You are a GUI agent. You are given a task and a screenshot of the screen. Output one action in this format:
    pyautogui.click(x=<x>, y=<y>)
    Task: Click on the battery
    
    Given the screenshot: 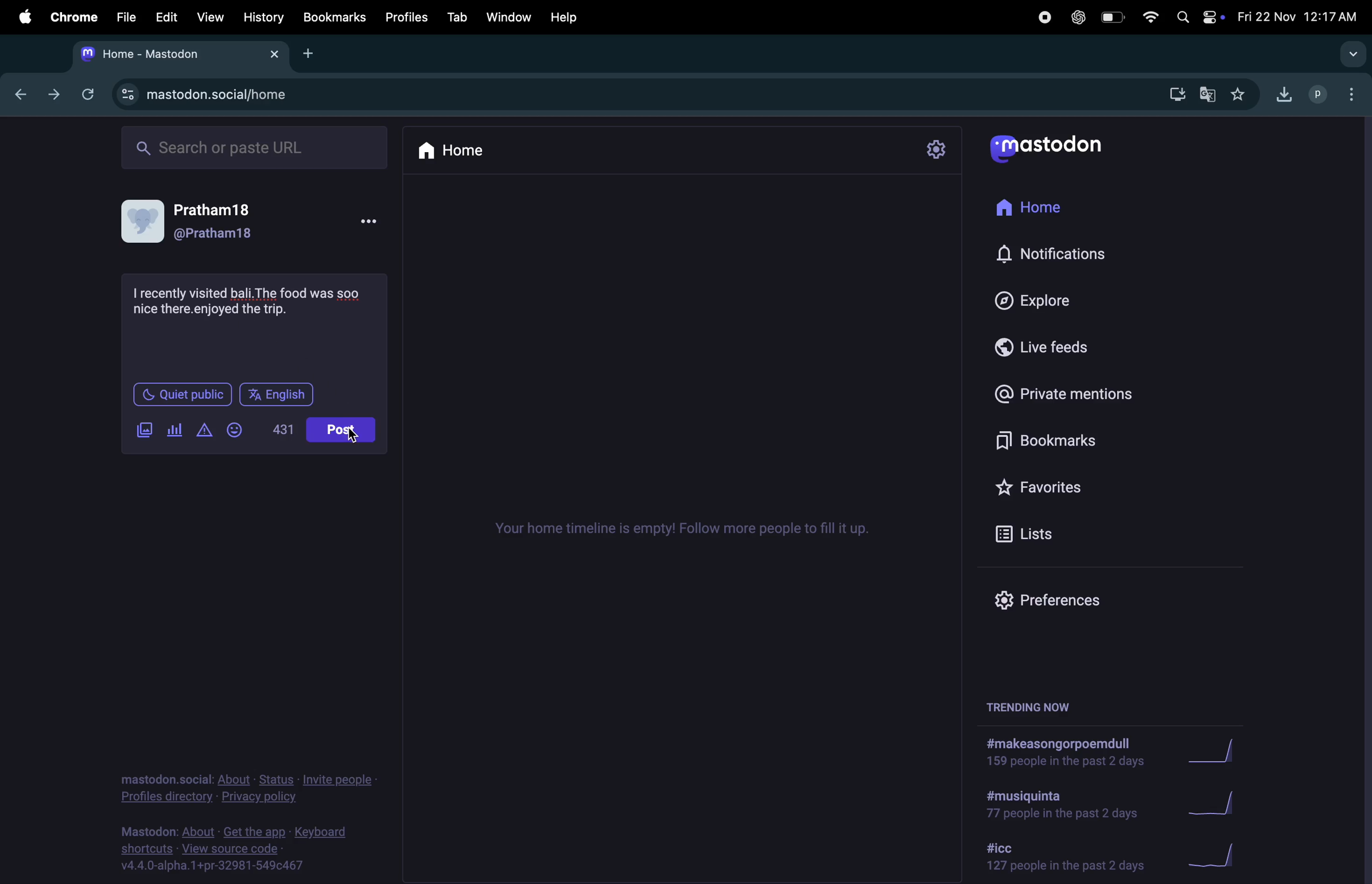 What is the action you would take?
    pyautogui.click(x=1111, y=18)
    